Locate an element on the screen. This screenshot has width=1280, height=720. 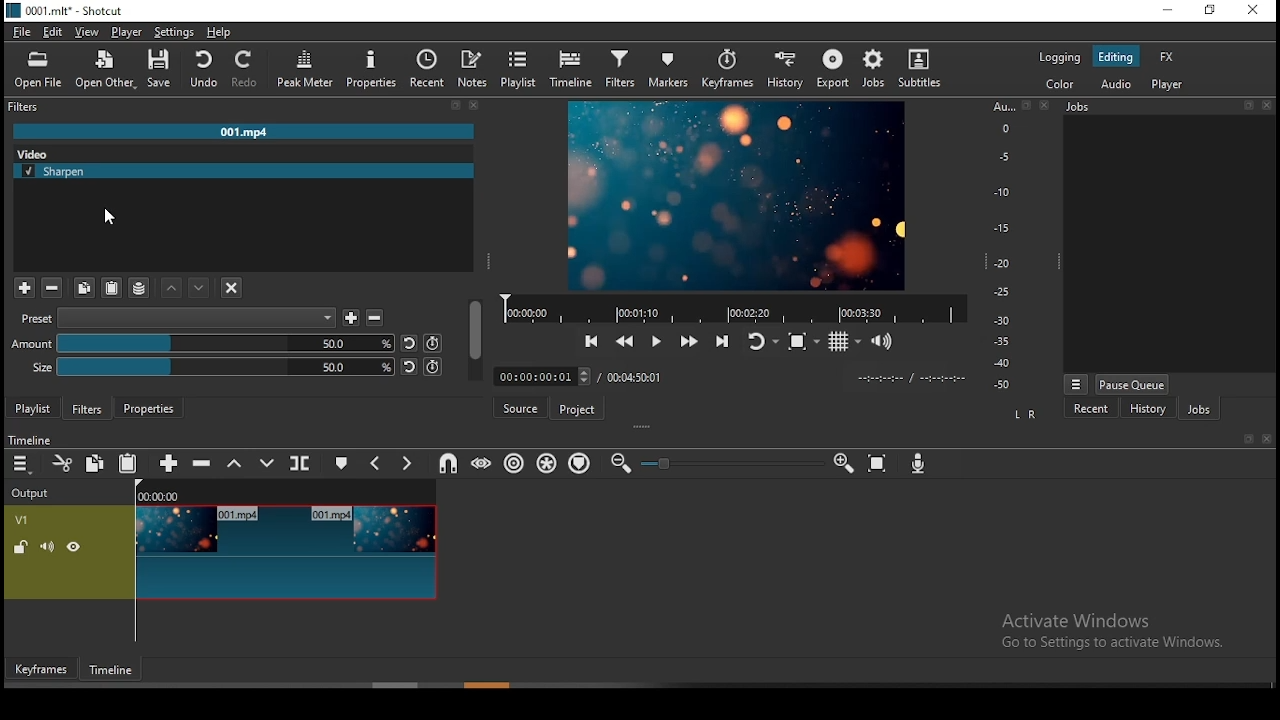
view is located at coordinates (86, 31).